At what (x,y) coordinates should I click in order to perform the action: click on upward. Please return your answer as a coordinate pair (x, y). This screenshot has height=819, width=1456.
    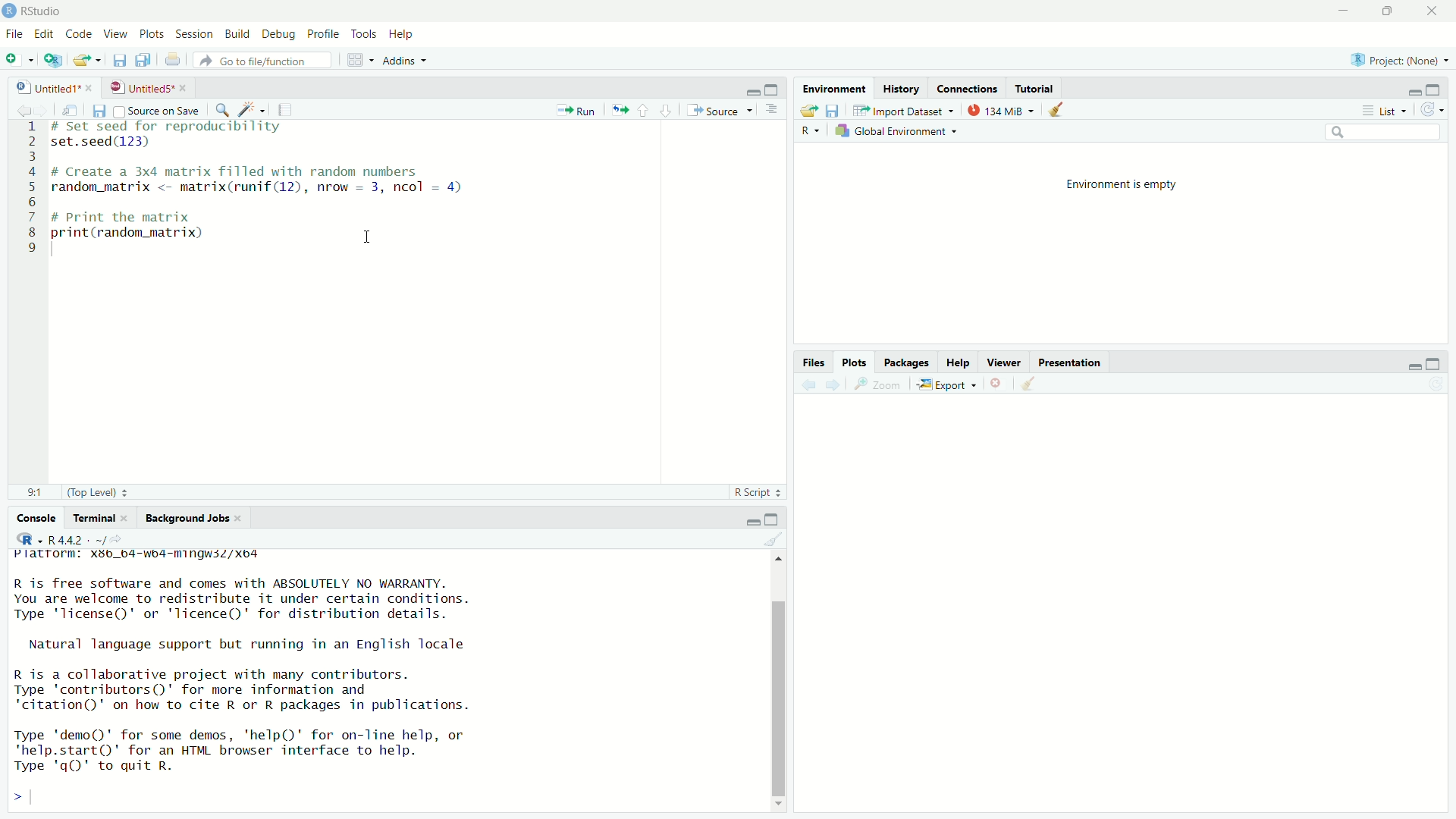
    Looking at the image, I should click on (644, 109).